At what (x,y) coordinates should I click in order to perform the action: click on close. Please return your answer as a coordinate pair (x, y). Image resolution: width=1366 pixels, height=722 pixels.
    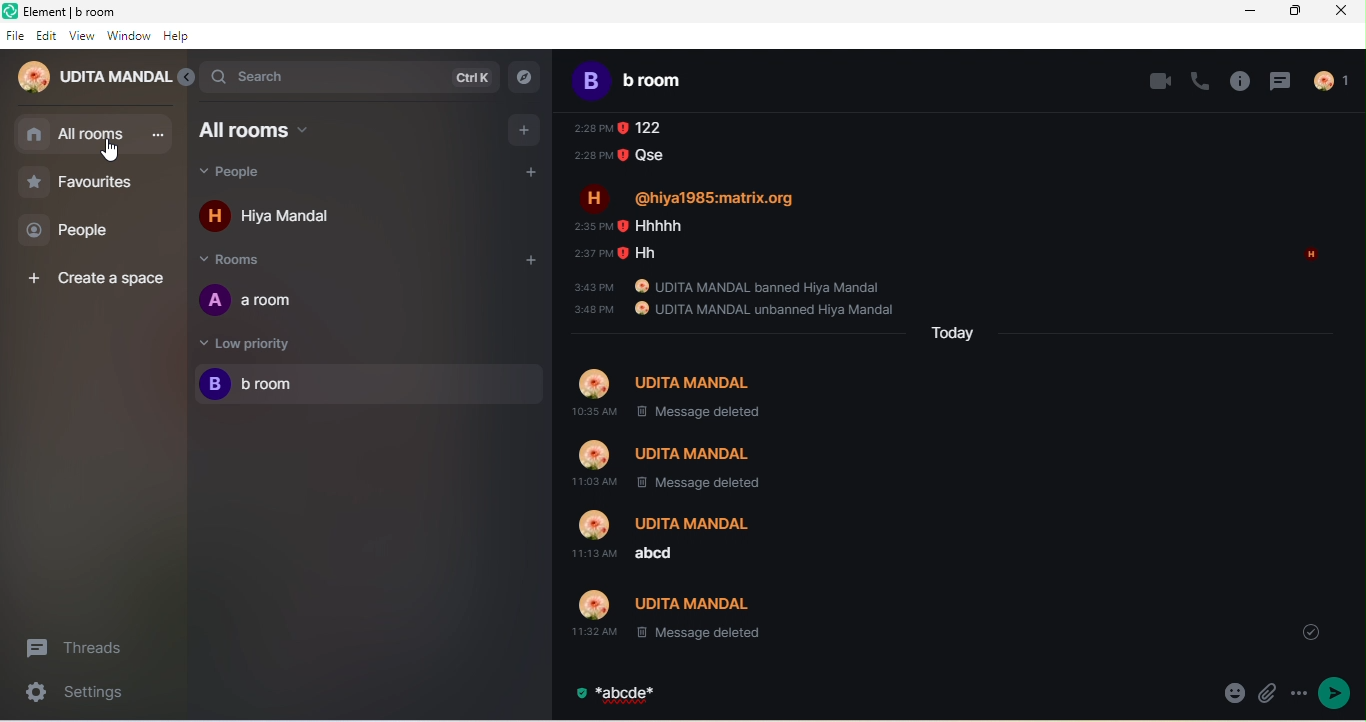
    Looking at the image, I should click on (1344, 14).